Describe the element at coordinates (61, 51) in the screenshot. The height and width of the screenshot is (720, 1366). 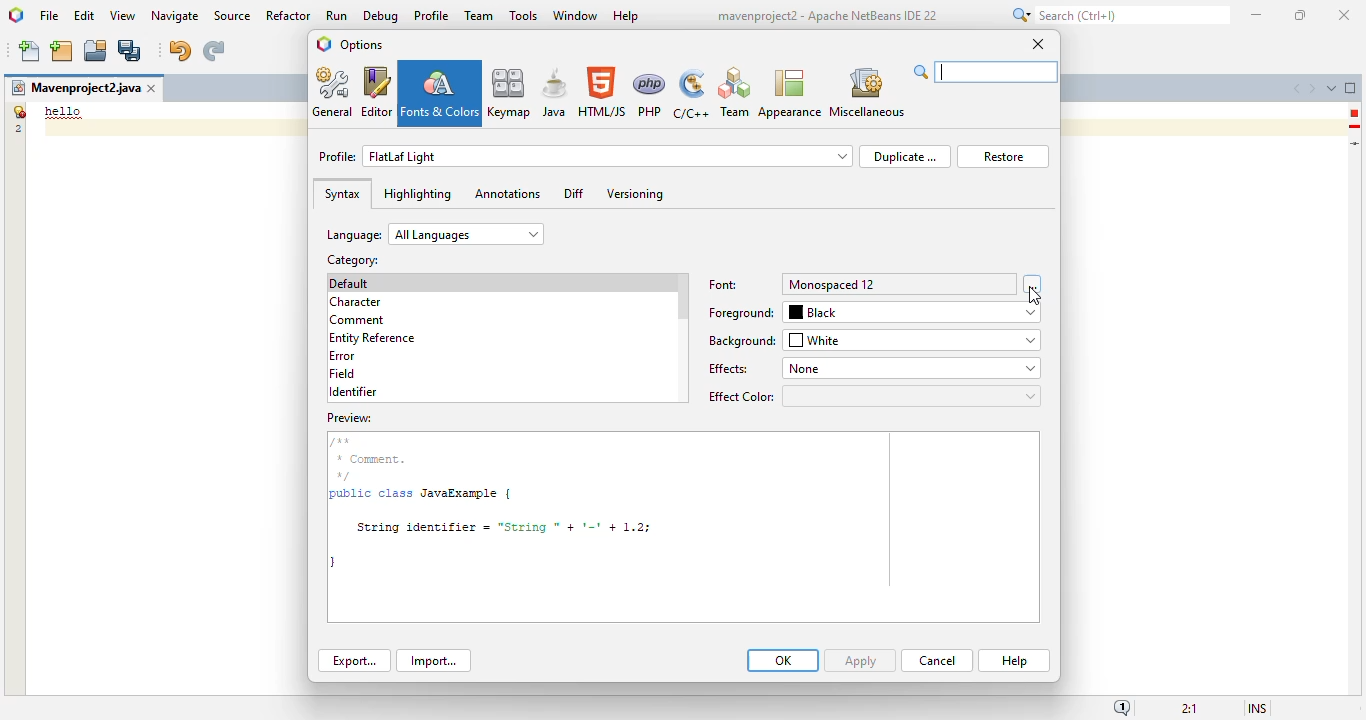
I see `new project` at that location.